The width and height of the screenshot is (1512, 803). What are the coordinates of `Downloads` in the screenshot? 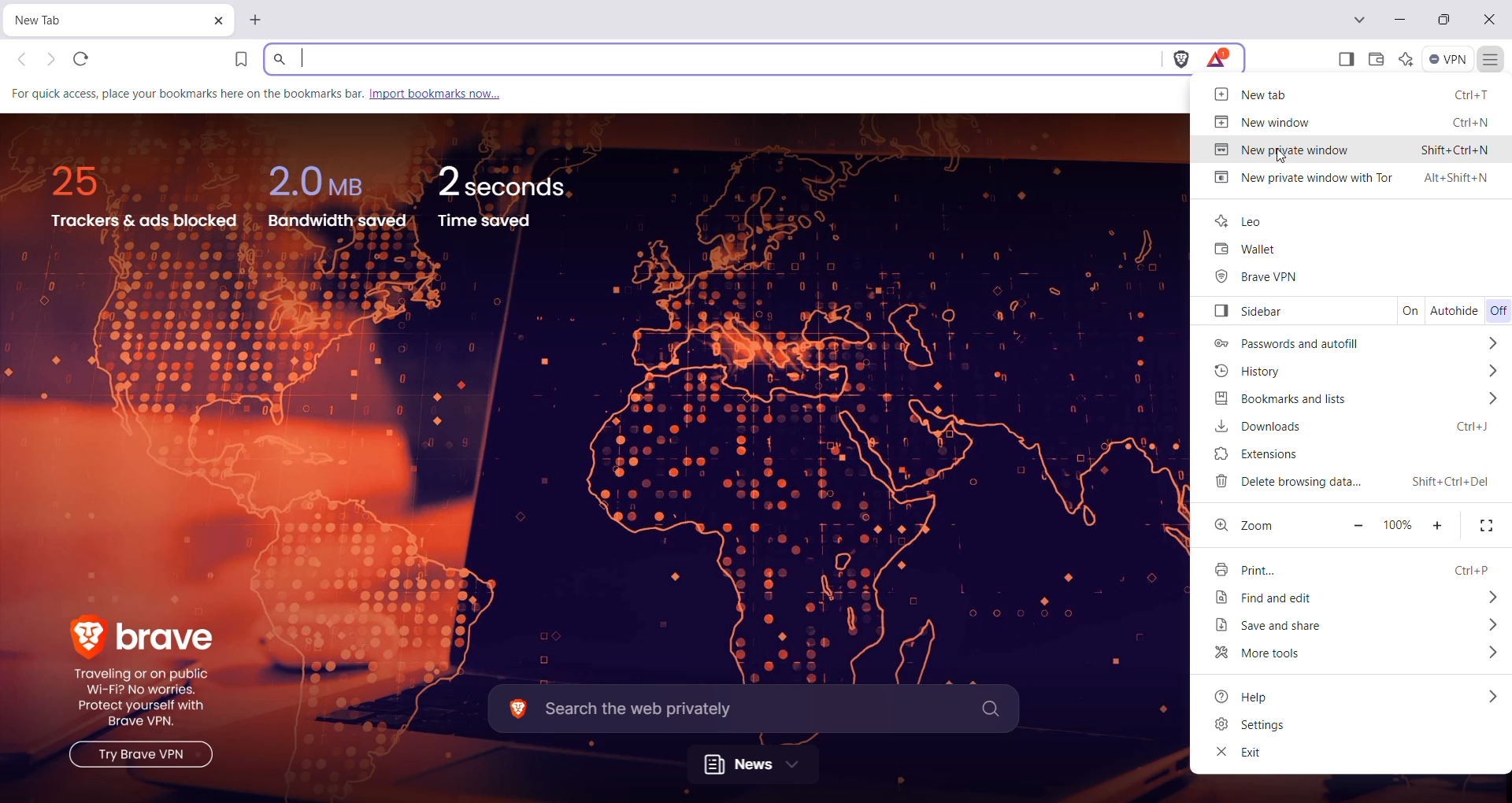 It's located at (1358, 427).